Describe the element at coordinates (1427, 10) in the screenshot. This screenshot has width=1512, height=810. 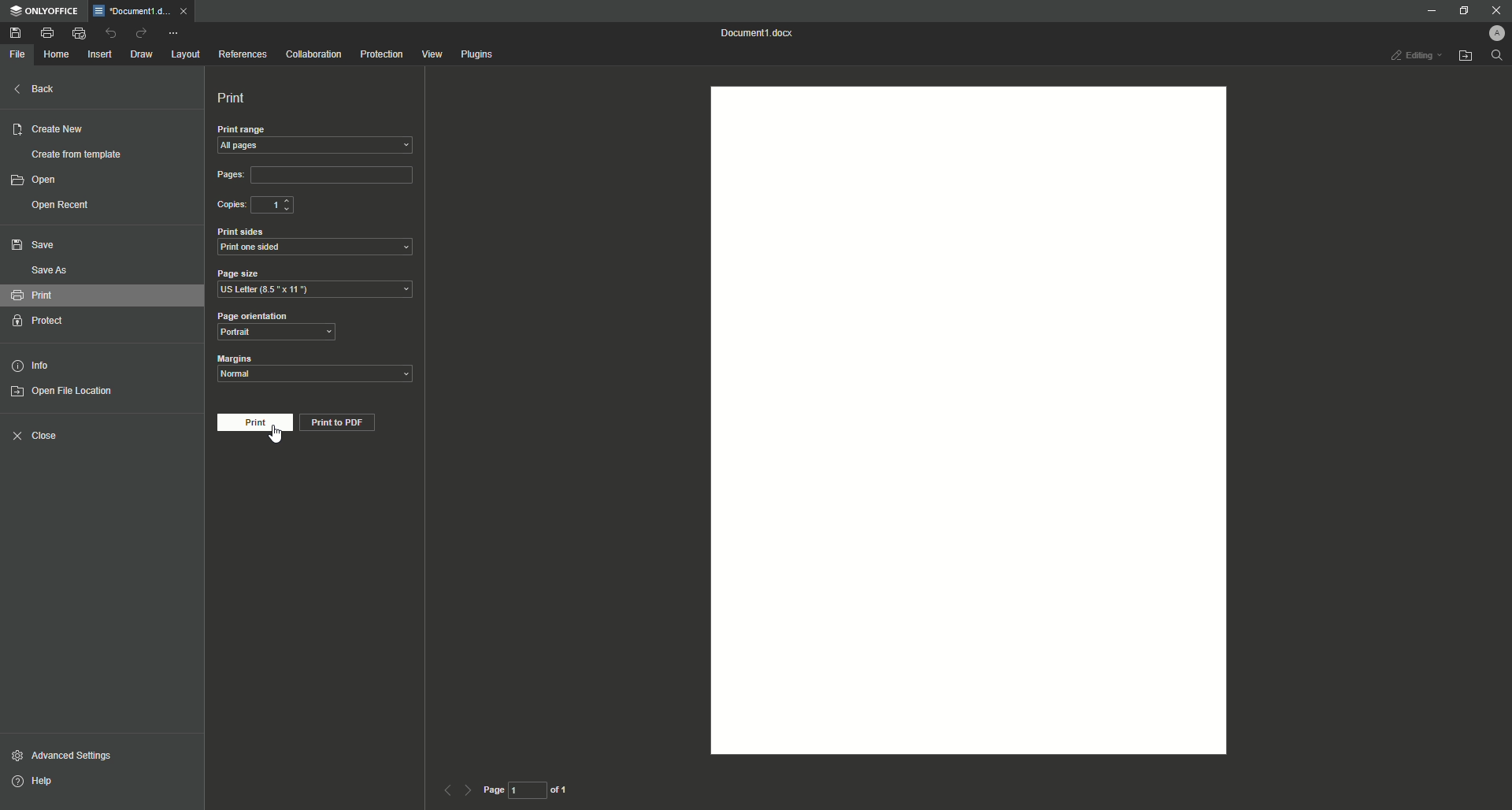
I see `Minimize` at that location.